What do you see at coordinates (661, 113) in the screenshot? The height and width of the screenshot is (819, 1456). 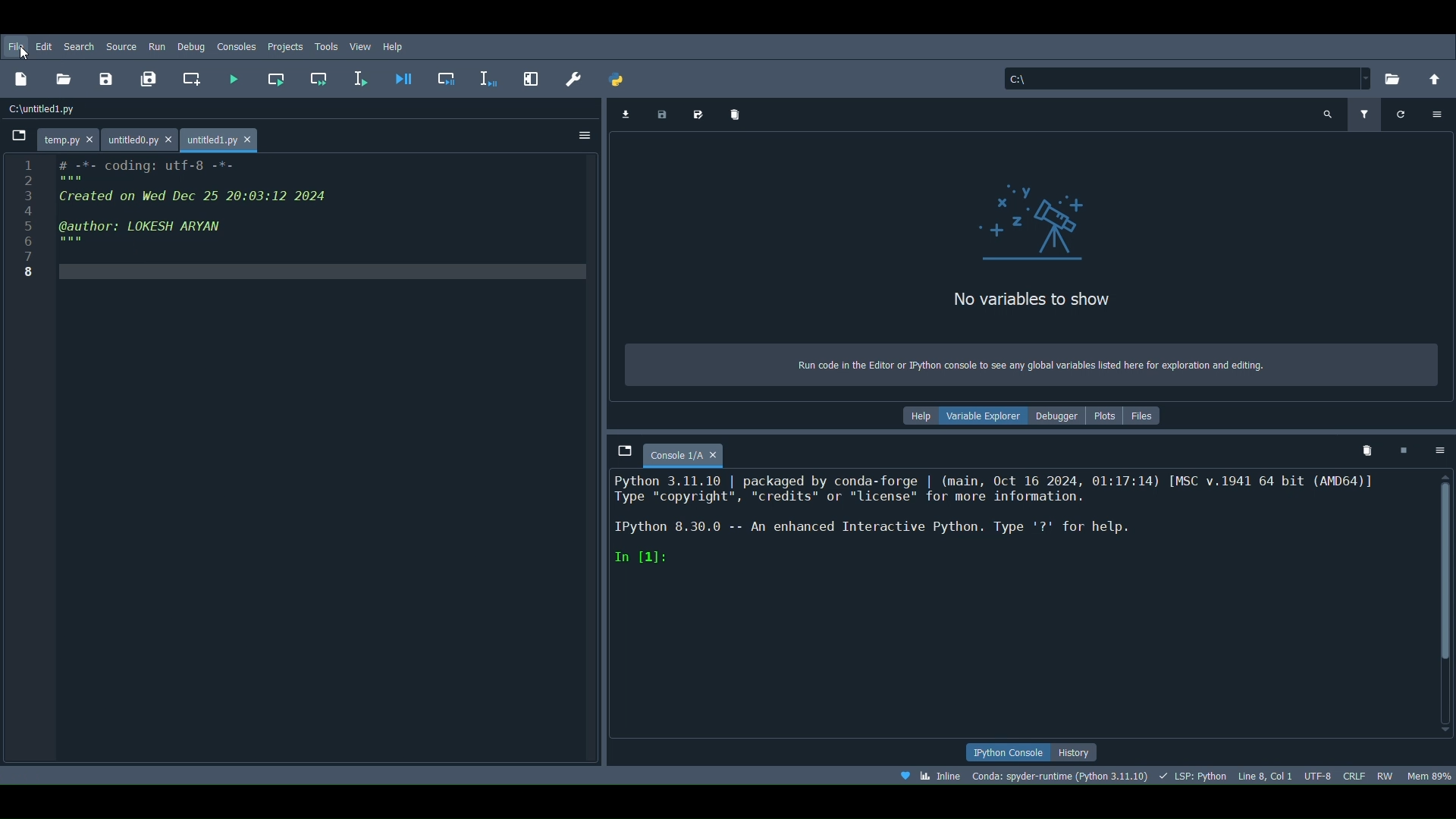 I see `Save data` at bounding box center [661, 113].